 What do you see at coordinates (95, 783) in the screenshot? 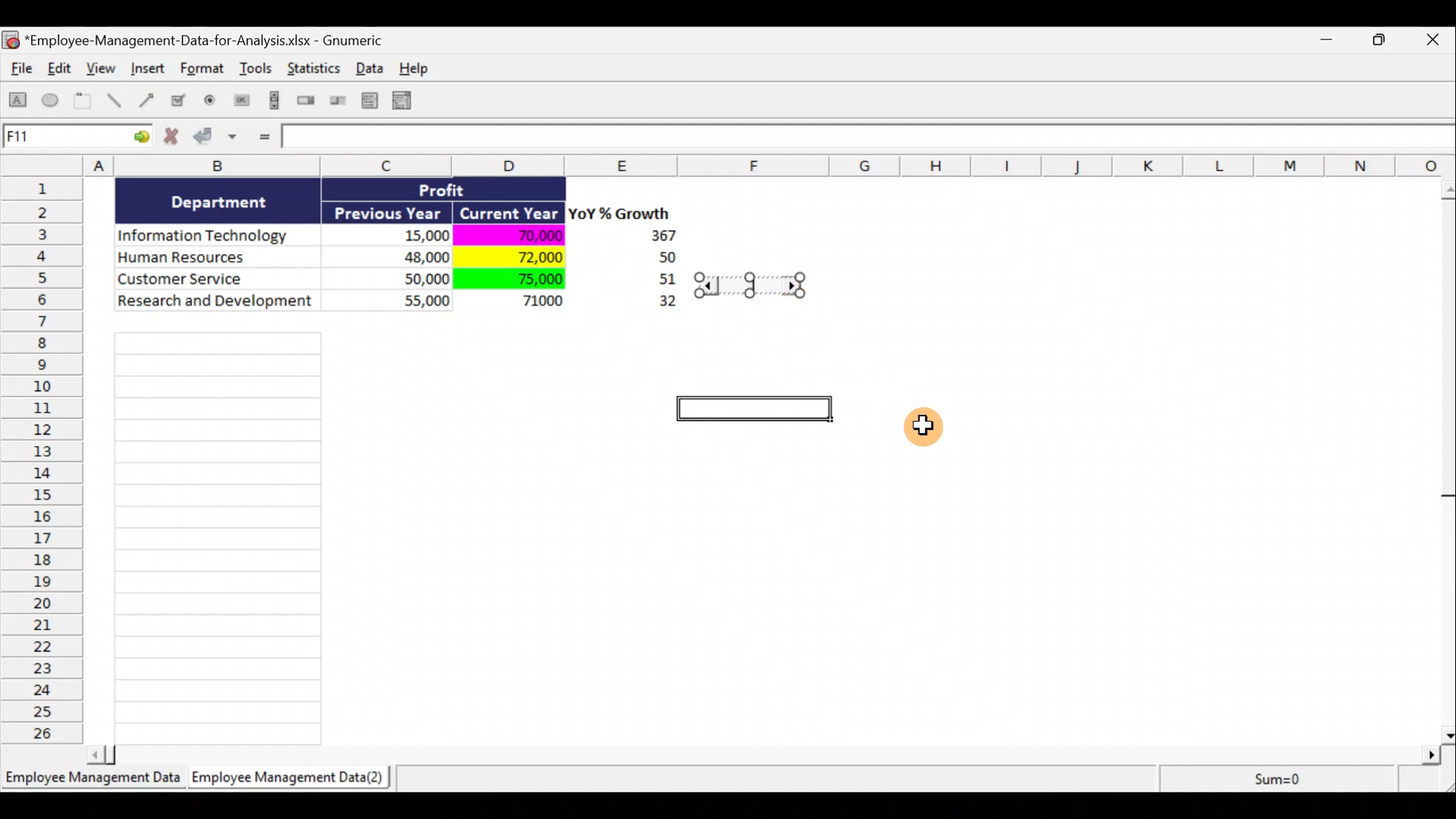
I see `Sheet 1` at bounding box center [95, 783].